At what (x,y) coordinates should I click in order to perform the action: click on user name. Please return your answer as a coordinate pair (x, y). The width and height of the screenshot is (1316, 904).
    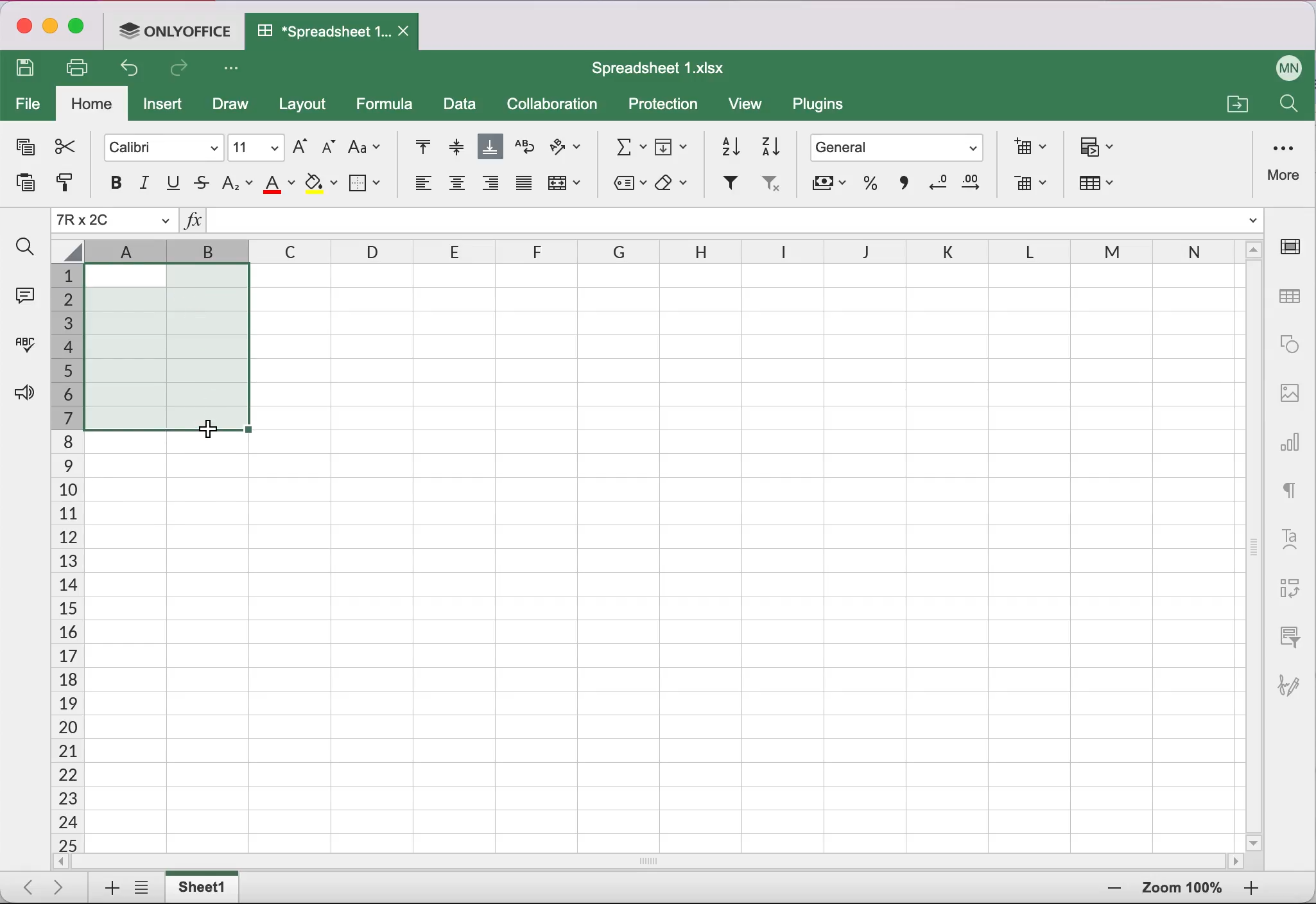
    Looking at the image, I should click on (1290, 65).